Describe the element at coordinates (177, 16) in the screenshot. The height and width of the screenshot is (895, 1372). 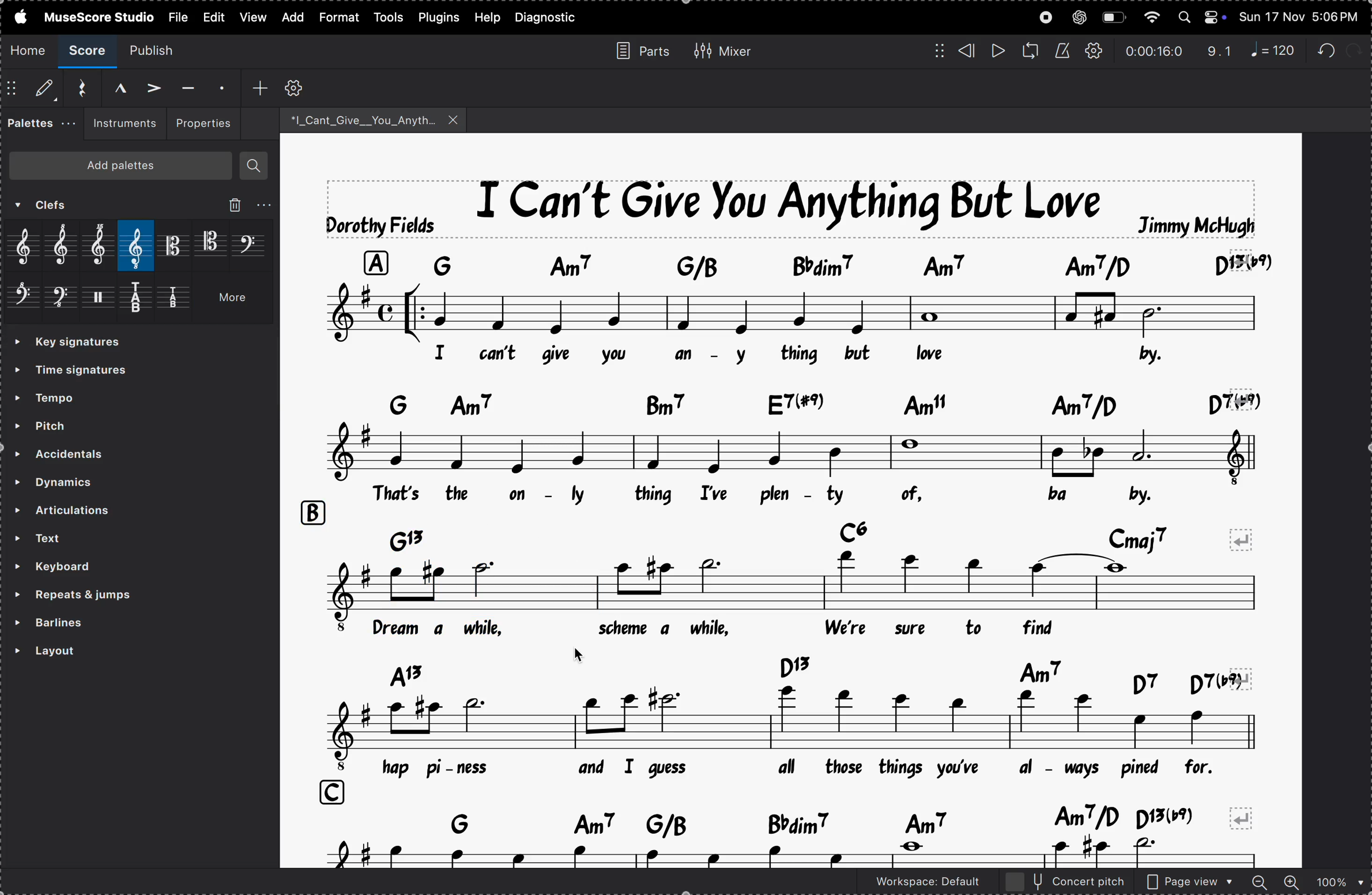
I see `file` at that location.